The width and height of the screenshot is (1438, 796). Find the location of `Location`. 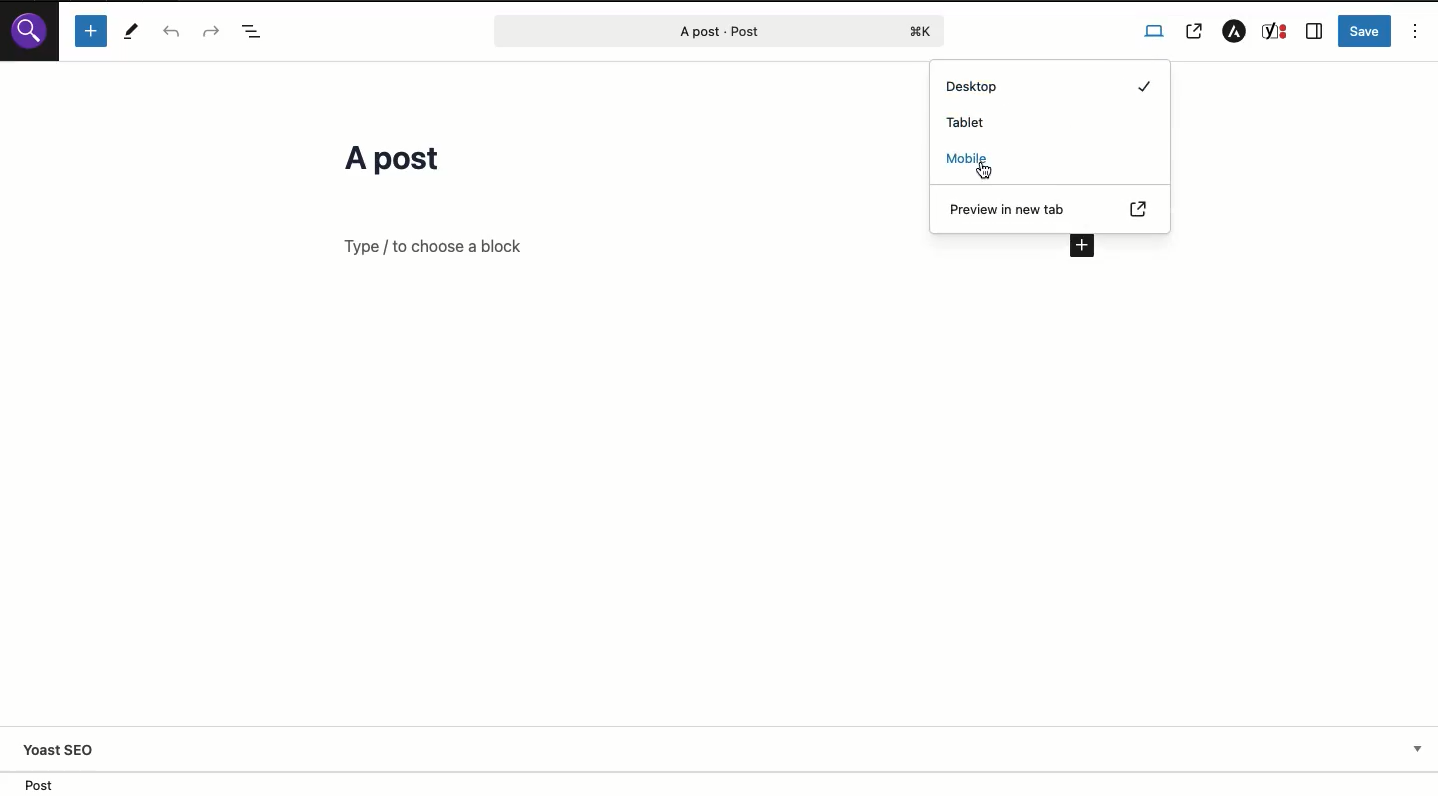

Location is located at coordinates (719, 783).